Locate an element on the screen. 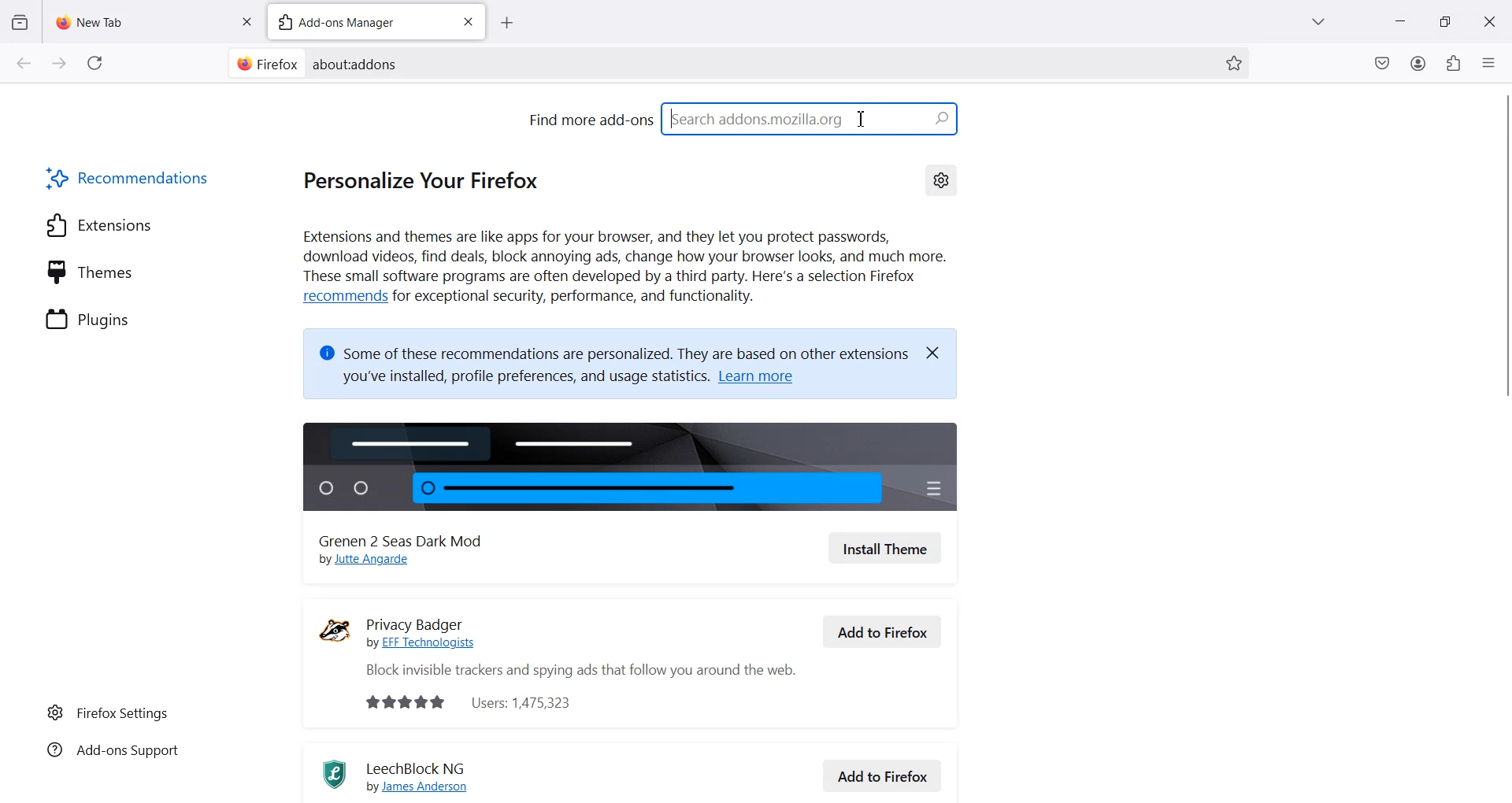 Image resolution: width=1512 pixels, height=803 pixels. Find more add-ons is located at coordinates (589, 119).